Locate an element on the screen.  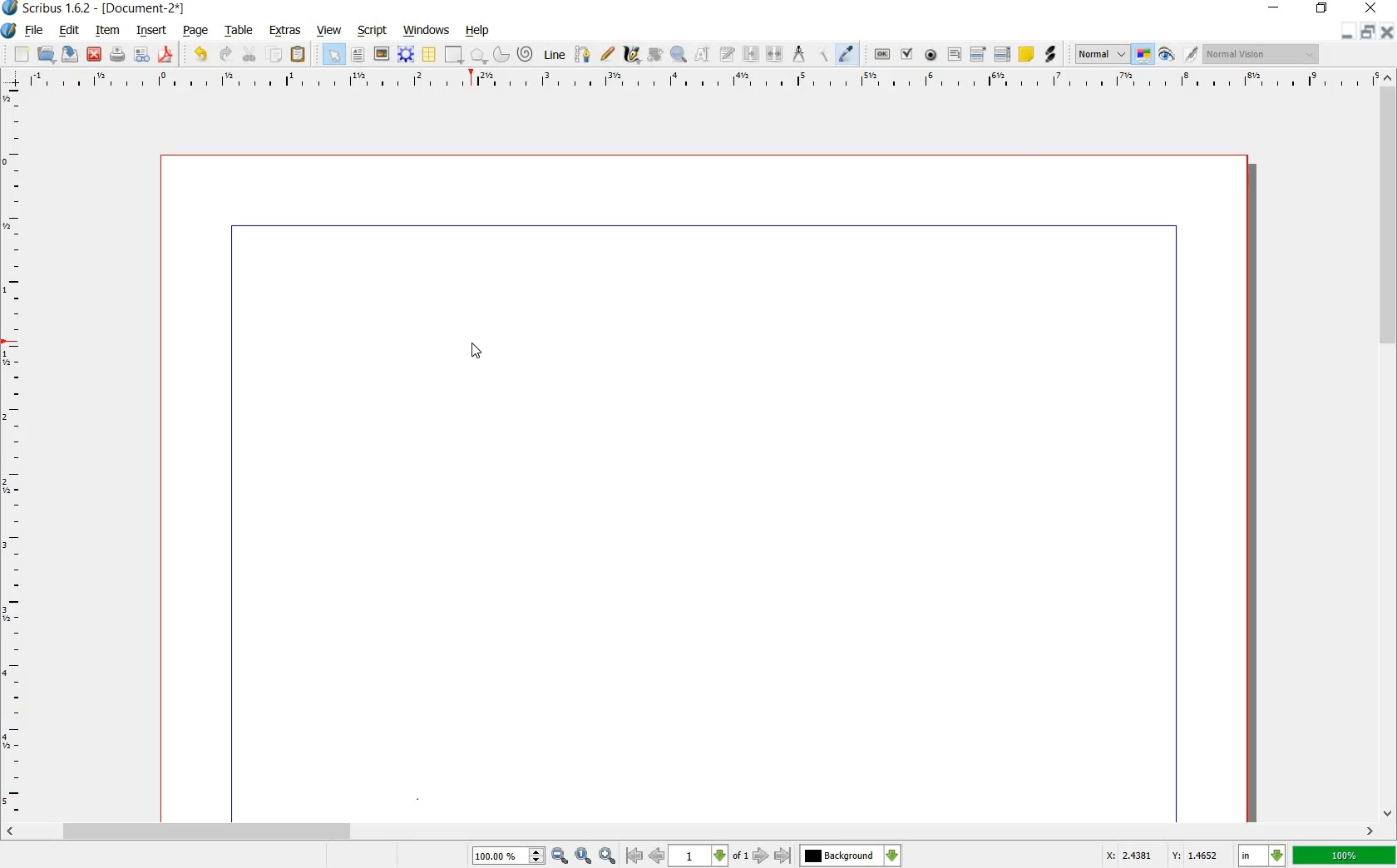
X: 2.4381 Y: 1.4652 is located at coordinates (1163, 856).